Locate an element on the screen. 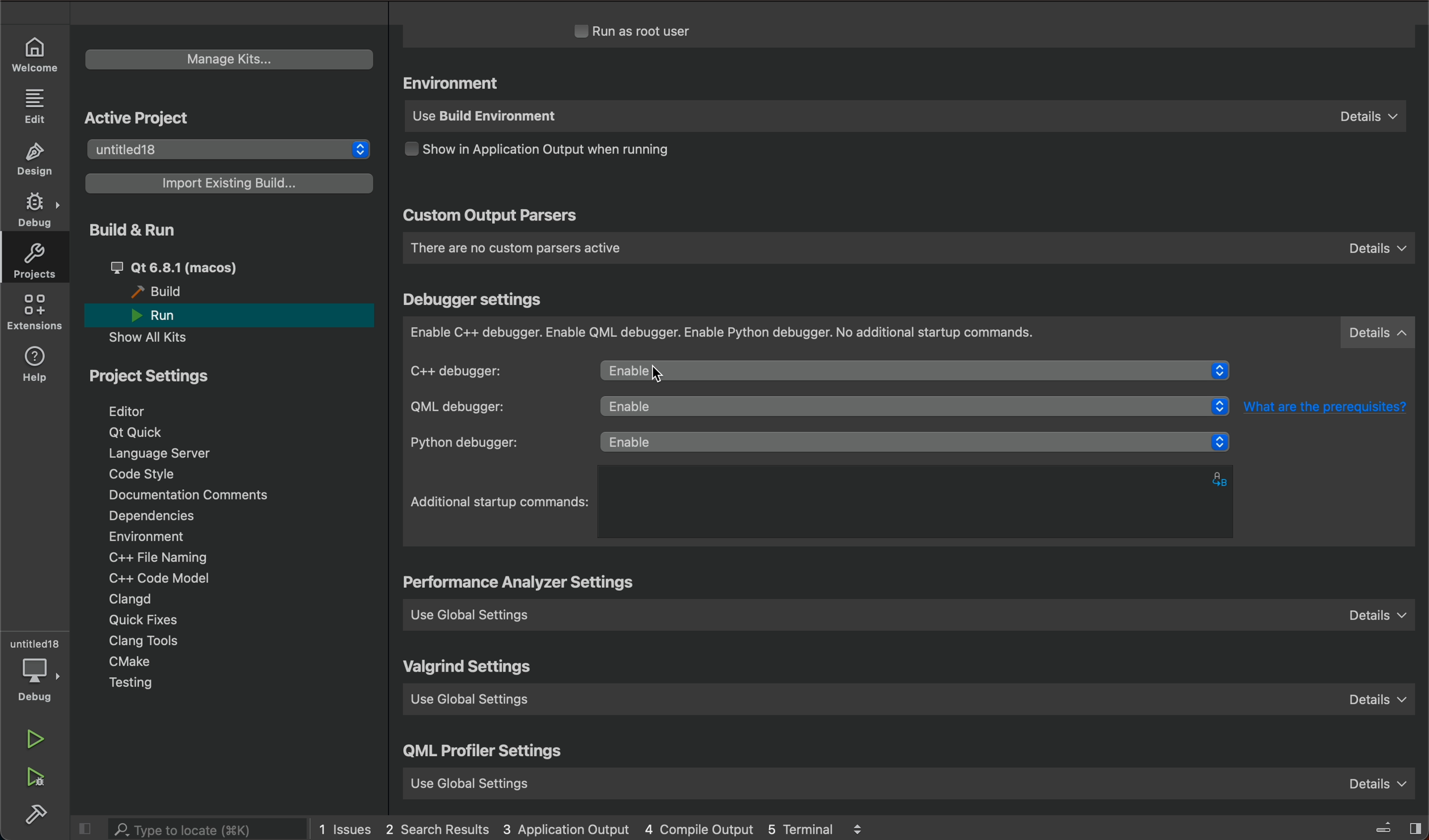 This screenshot has width=1429, height=840. cursor is located at coordinates (654, 375).